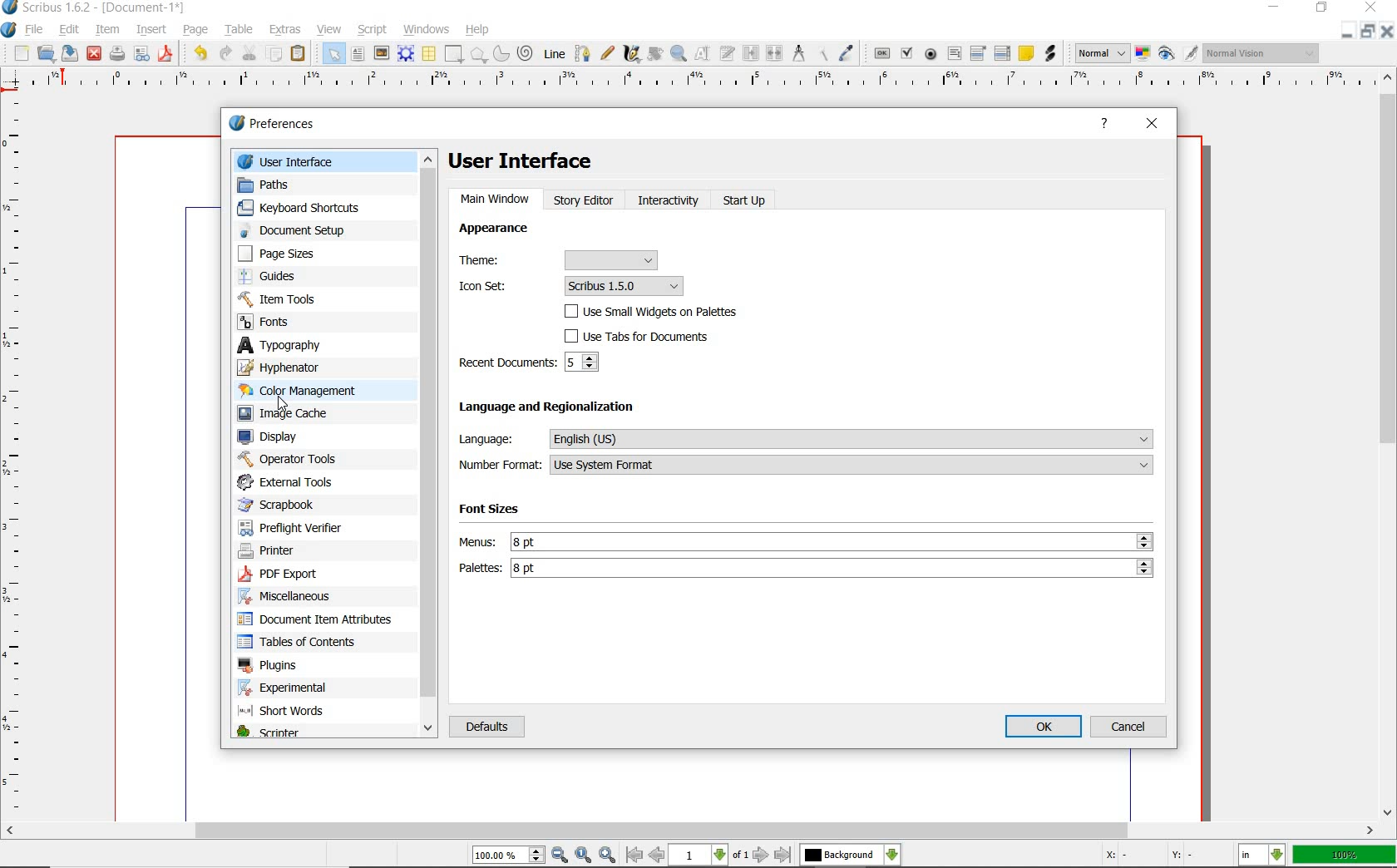  What do you see at coordinates (1051, 54) in the screenshot?
I see `link annotation` at bounding box center [1051, 54].